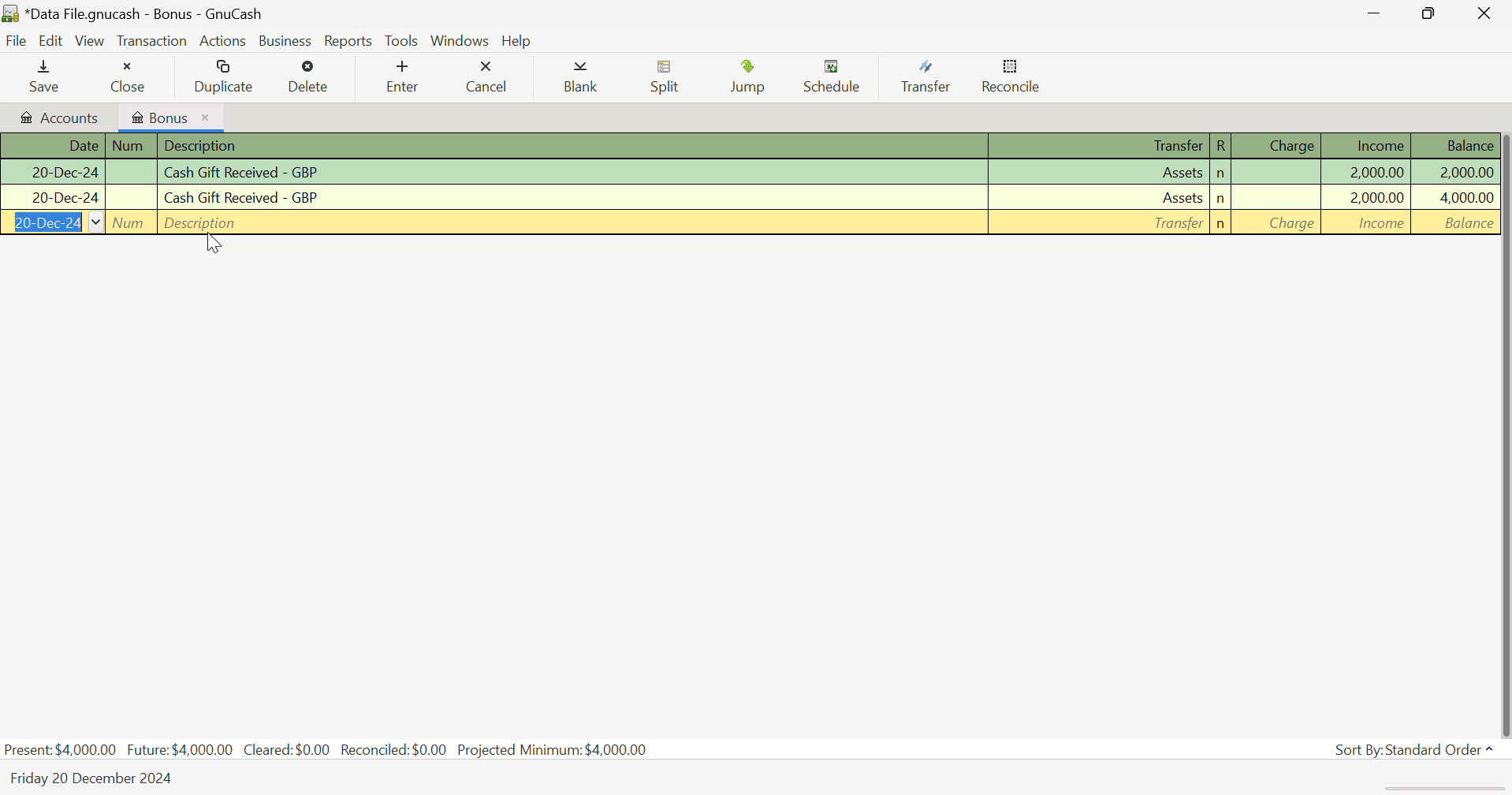 The height and width of the screenshot is (795, 1512). Describe the element at coordinates (932, 77) in the screenshot. I see `Transfer` at that location.